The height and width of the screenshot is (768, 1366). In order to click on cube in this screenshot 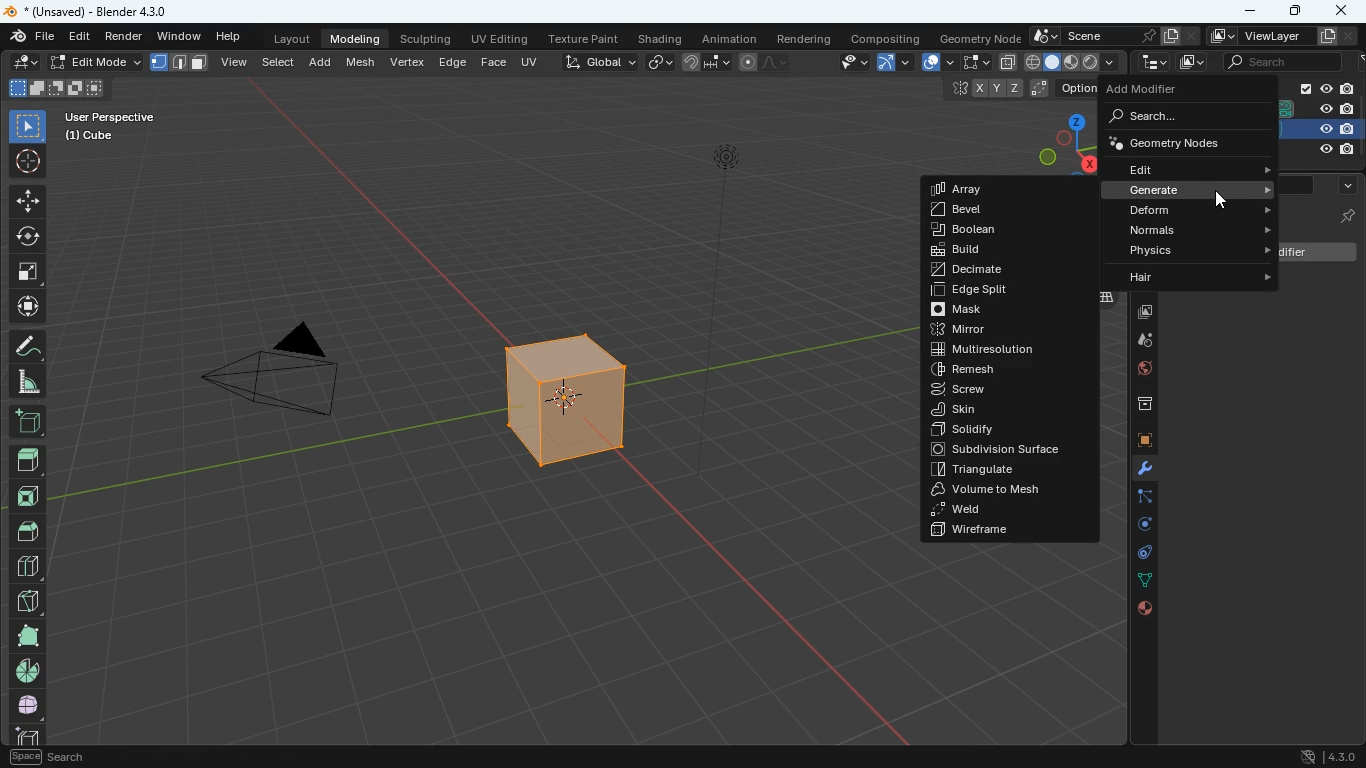, I will do `click(587, 400)`.